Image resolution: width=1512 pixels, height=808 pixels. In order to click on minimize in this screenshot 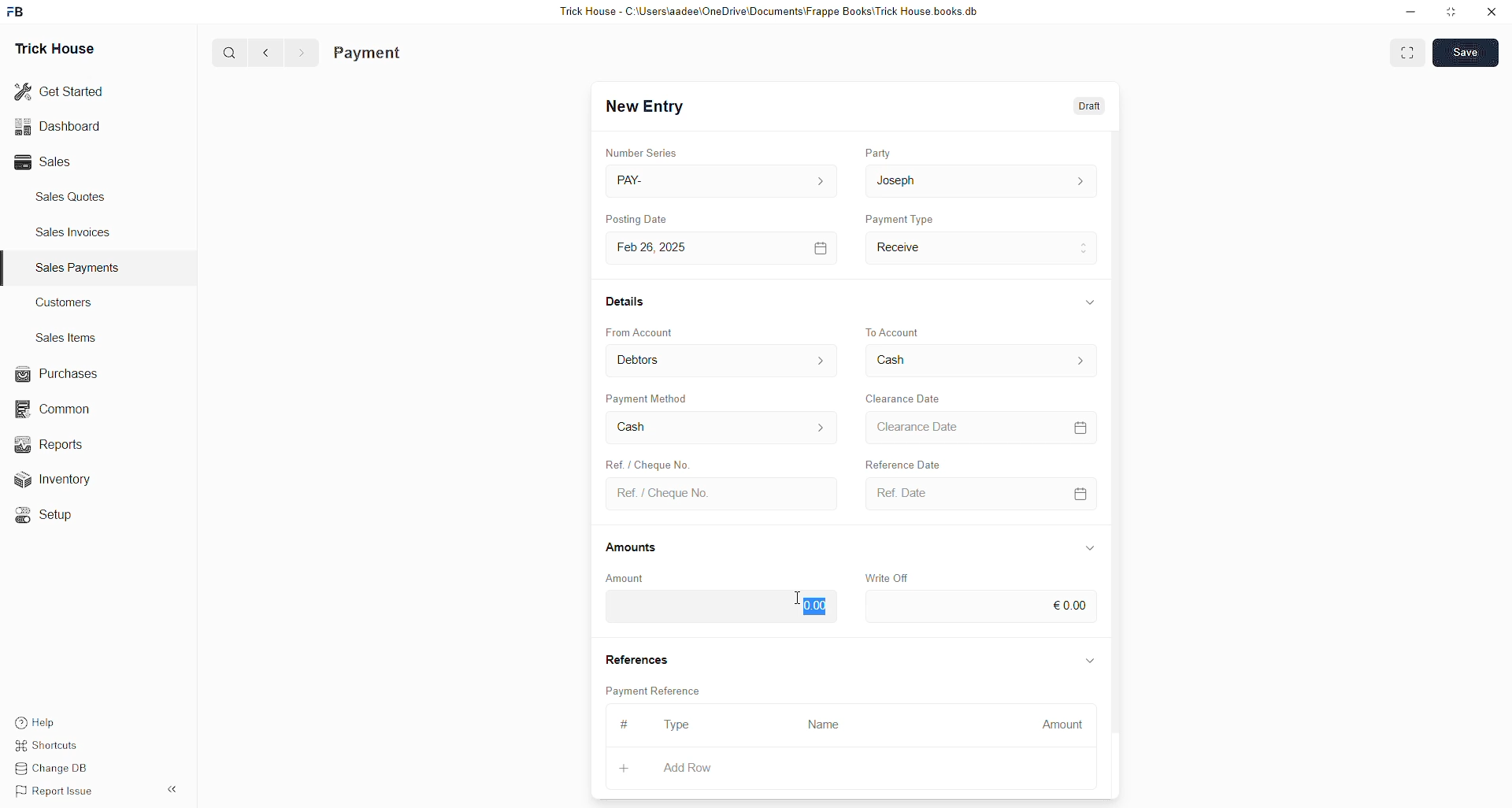, I will do `click(1411, 13)`.